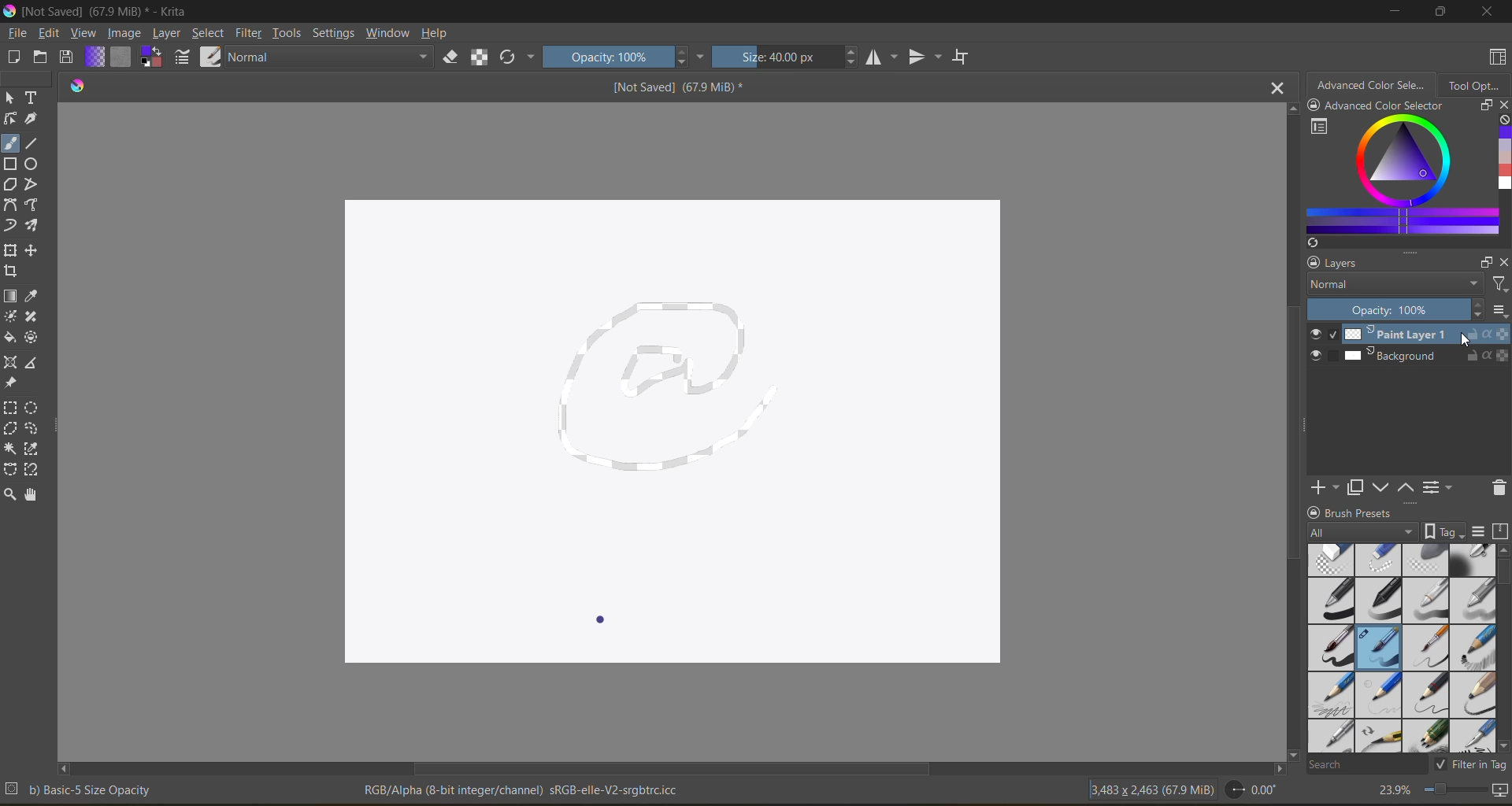 Image resolution: width=1512 pixels, height=806 pixels. What do you see at coordinates (1333, 355) in the screenshot?
I see `selection slot` at bounding box center [1333, 355].